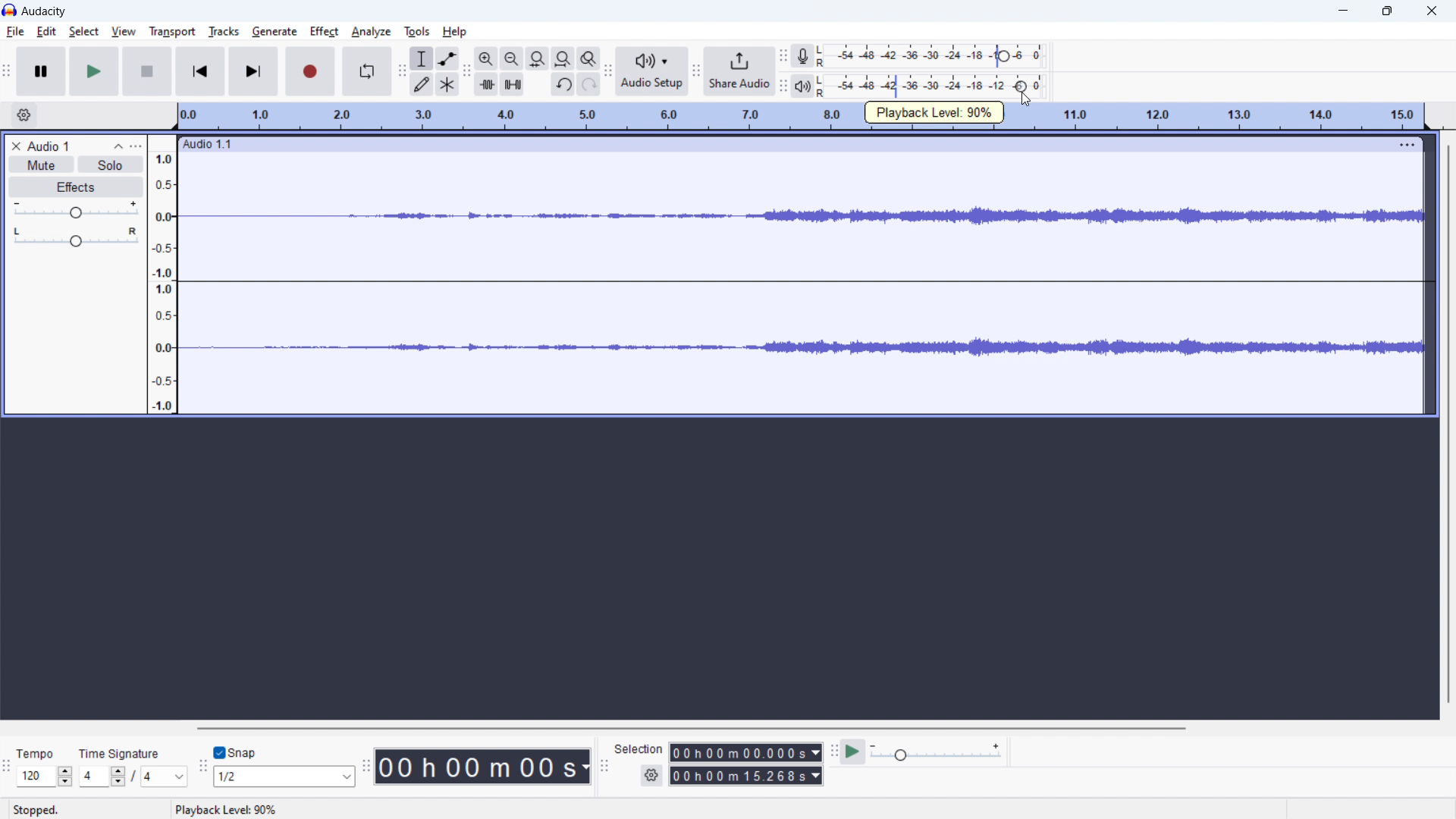 The image size is (1456, 819). Describe the element at coordinates (75, 237) in the screenshot. I see `pan: center` at that location.